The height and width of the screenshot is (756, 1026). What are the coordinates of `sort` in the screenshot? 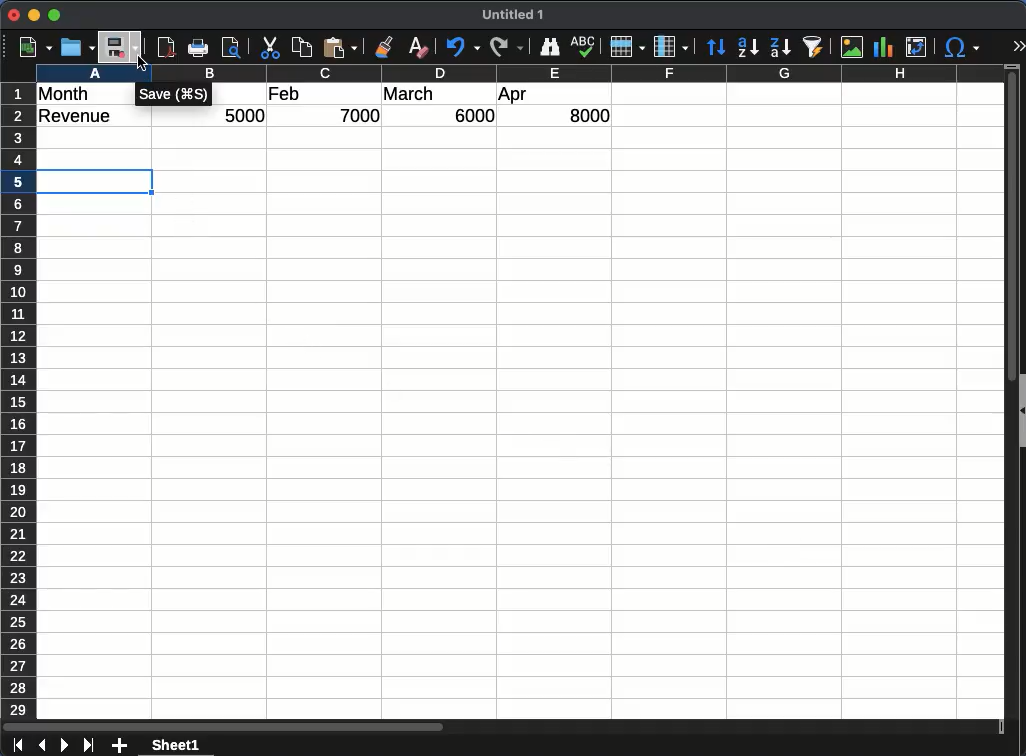 It's located at (716, 47).